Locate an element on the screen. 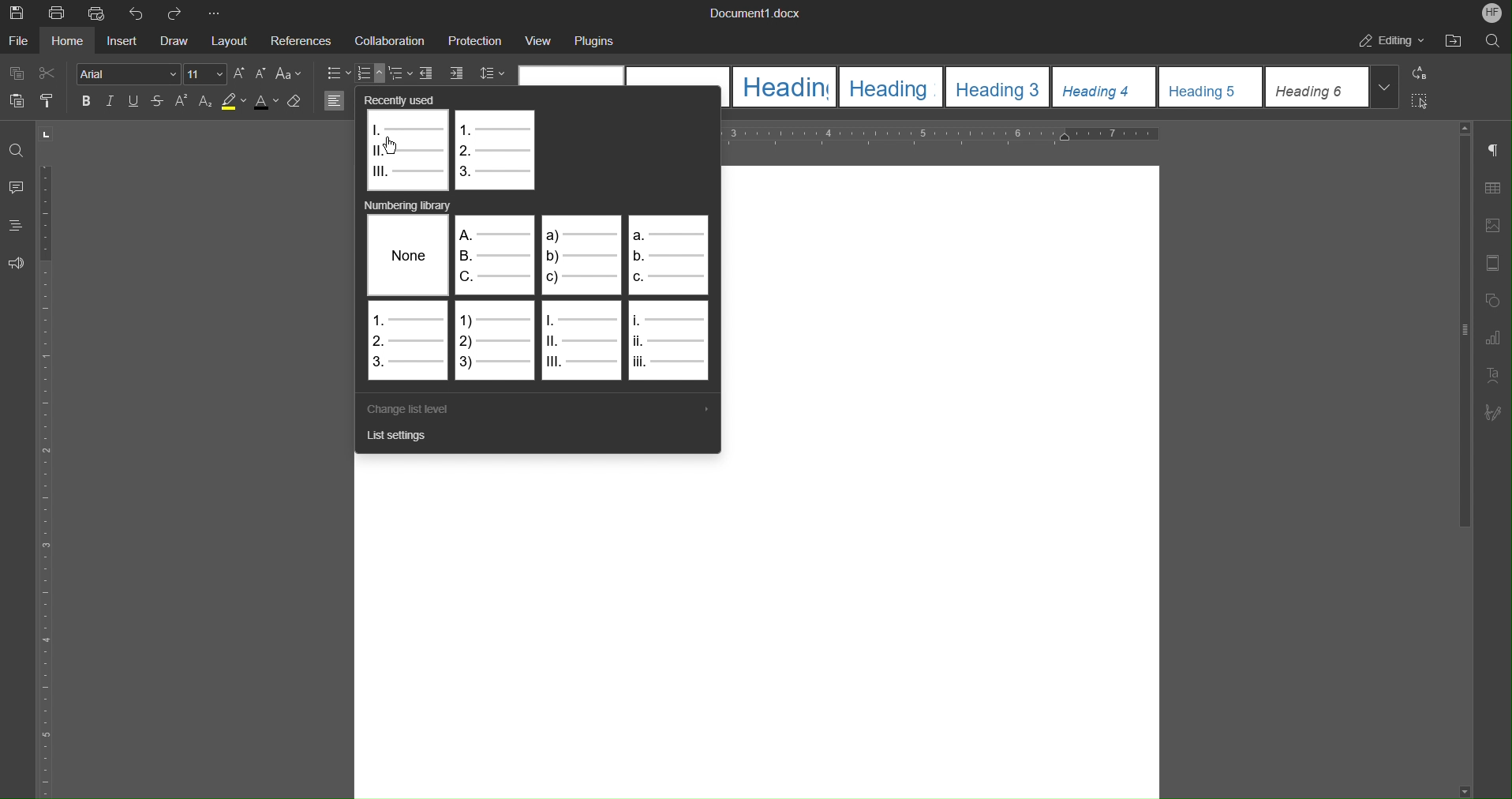  Heading 5 is located at coordinates (1211, 87).